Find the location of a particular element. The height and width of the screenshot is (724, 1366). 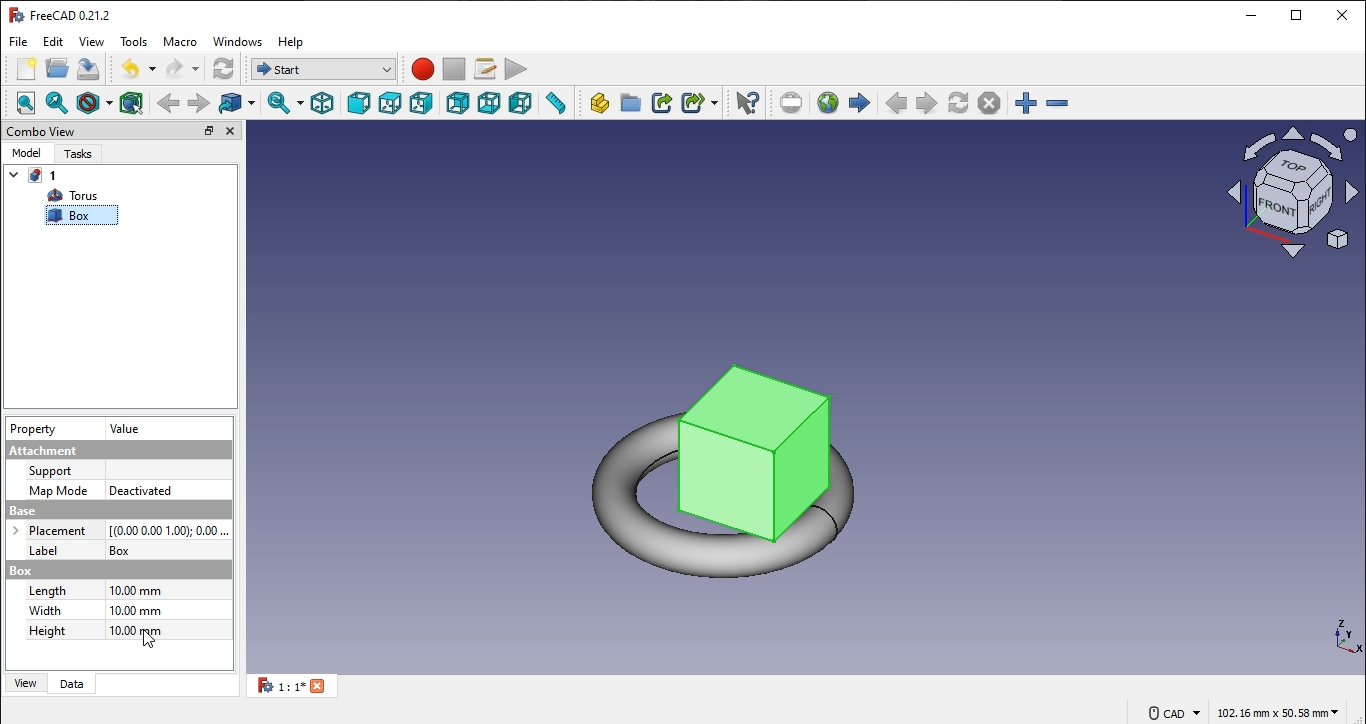

model is located at coordinates (26, 154).